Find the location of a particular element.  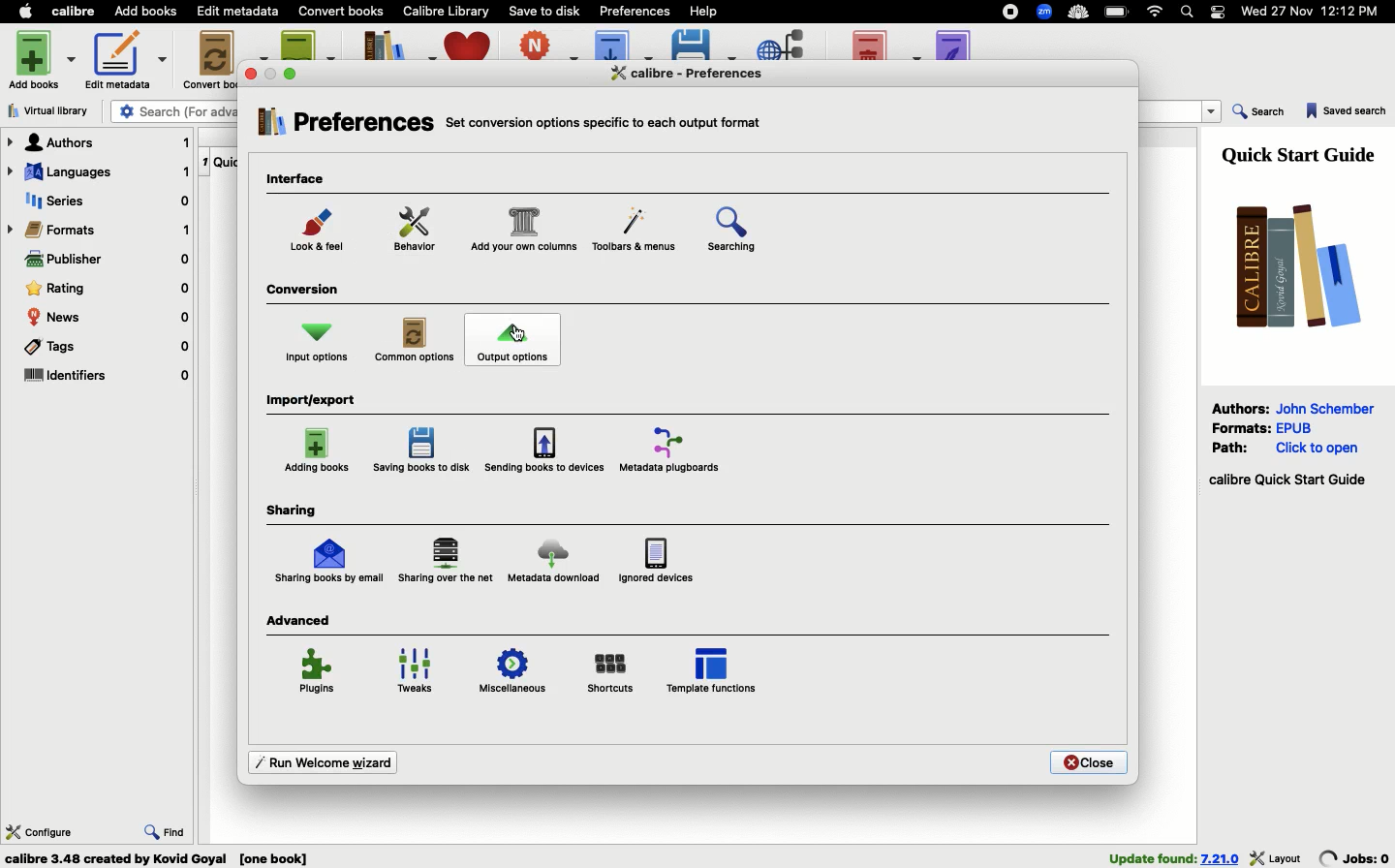

Rating is located at coordinates (108, 289).